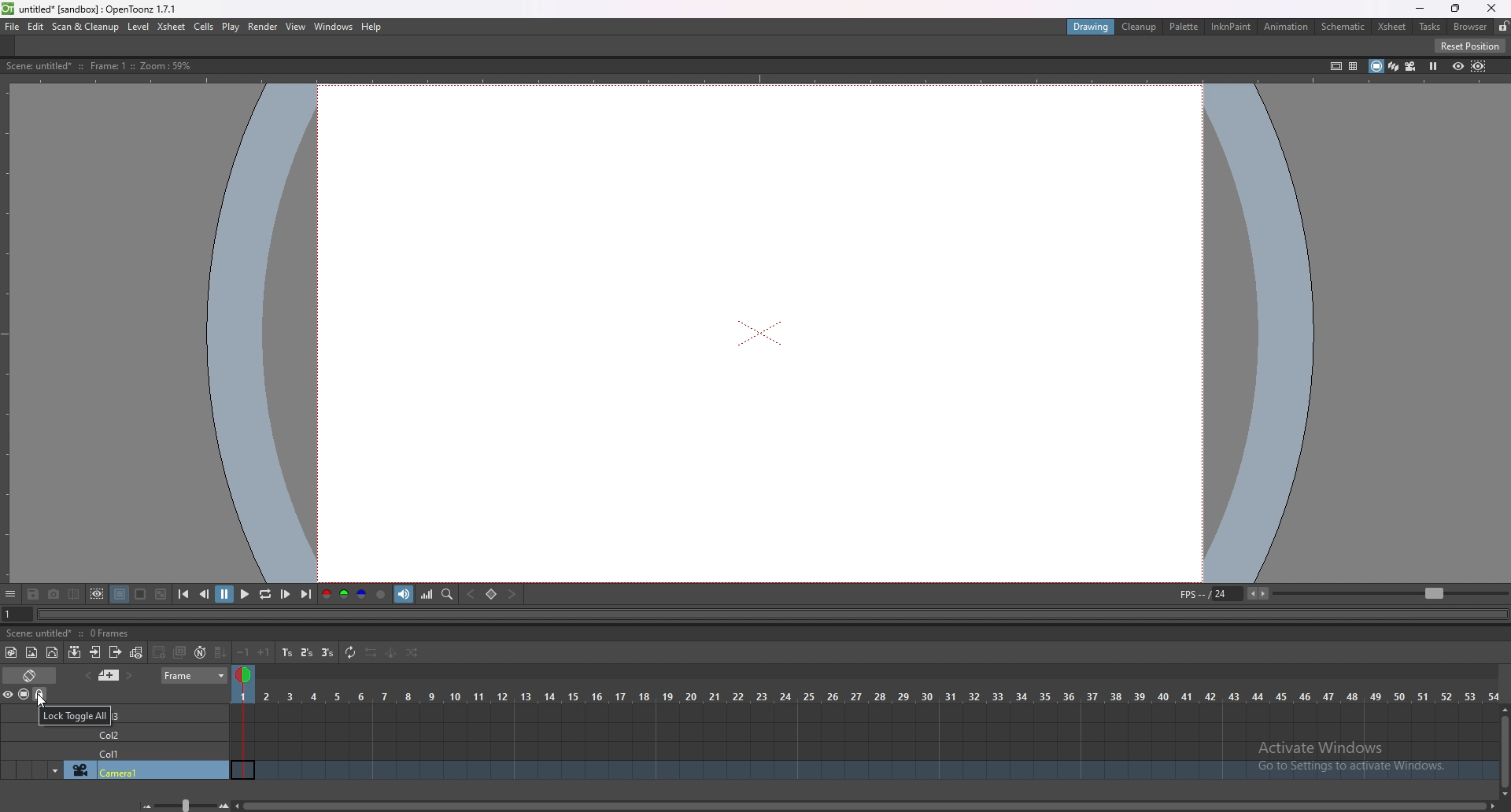 The width and height of the screenshot is (1511, 812). Describe the element at coordinates (1457, 65) in the screenshot. I see `preview` at that location.